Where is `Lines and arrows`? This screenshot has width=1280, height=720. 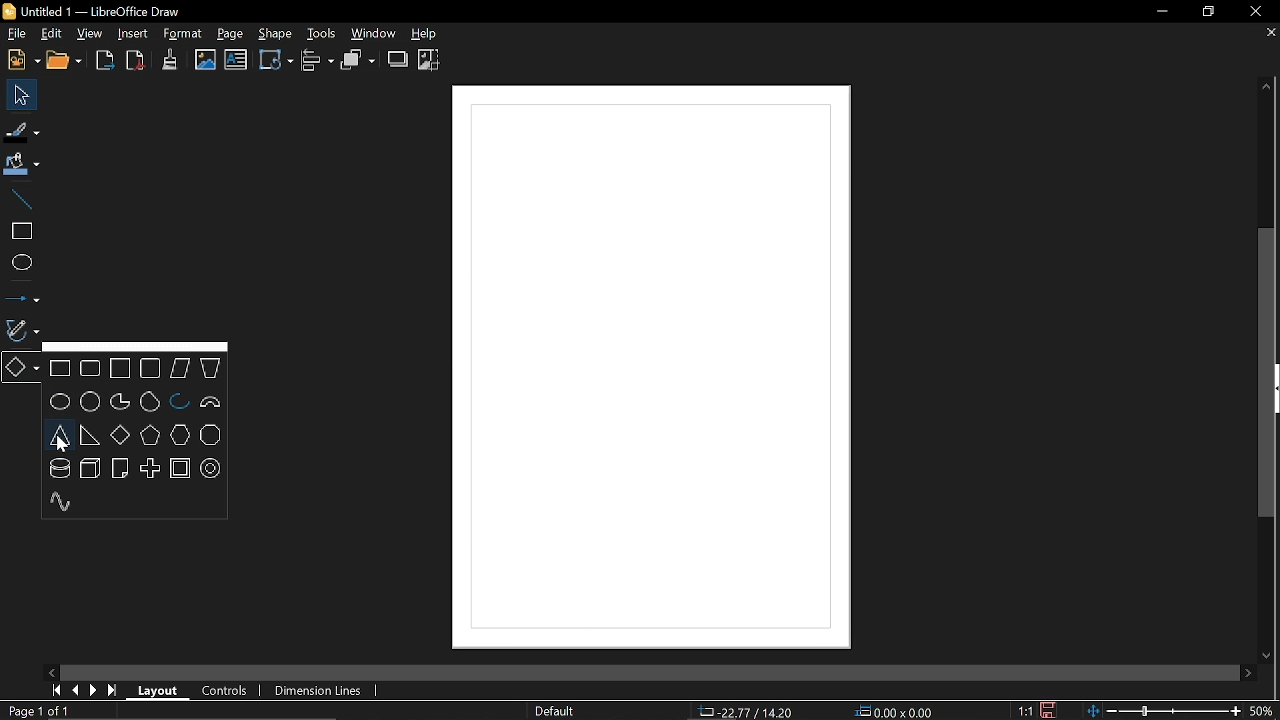
Lines and arrows is located at coordinates (22, 295).